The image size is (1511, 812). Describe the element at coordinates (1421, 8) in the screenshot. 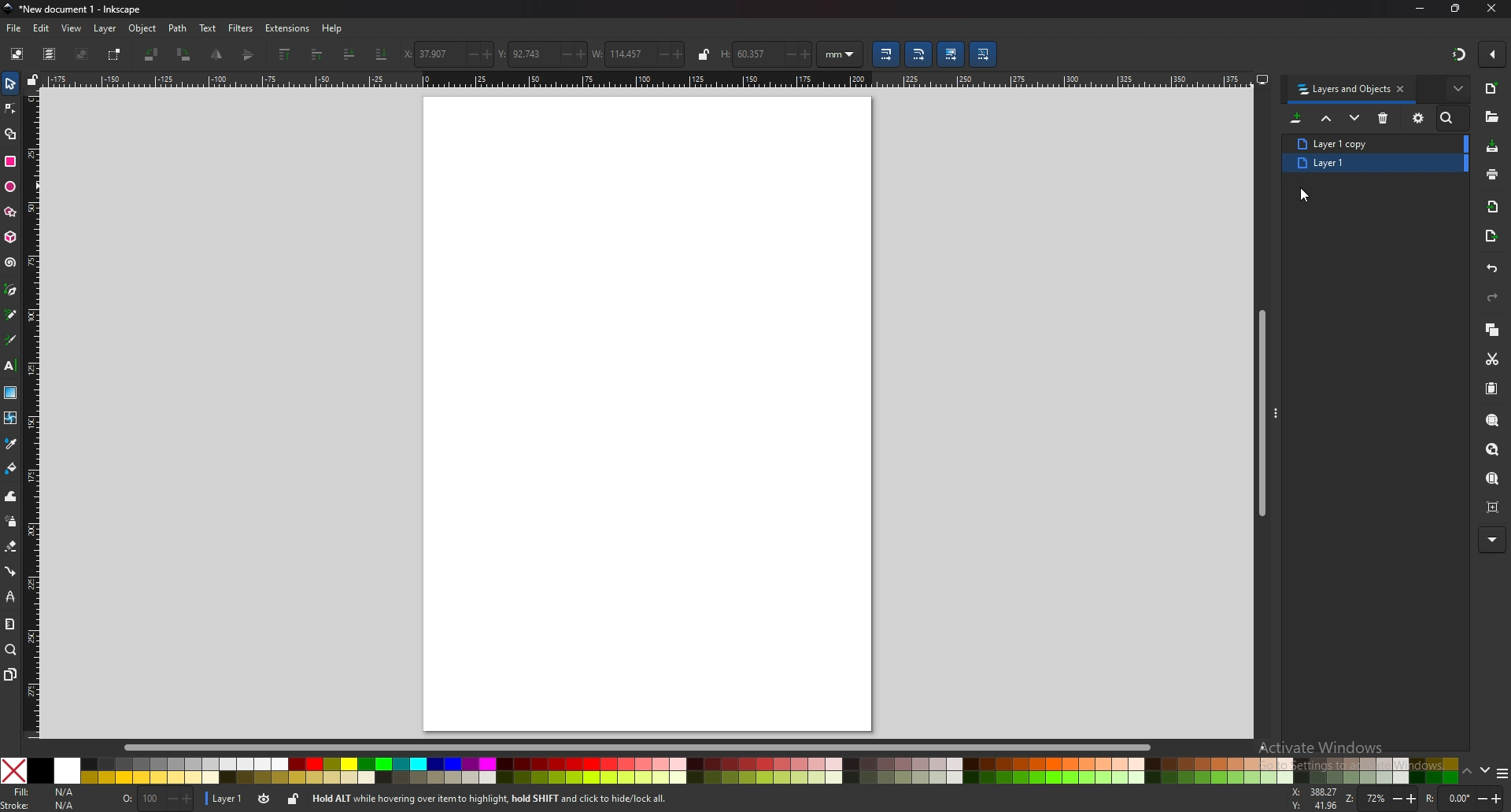

I see `minimize` at that location.